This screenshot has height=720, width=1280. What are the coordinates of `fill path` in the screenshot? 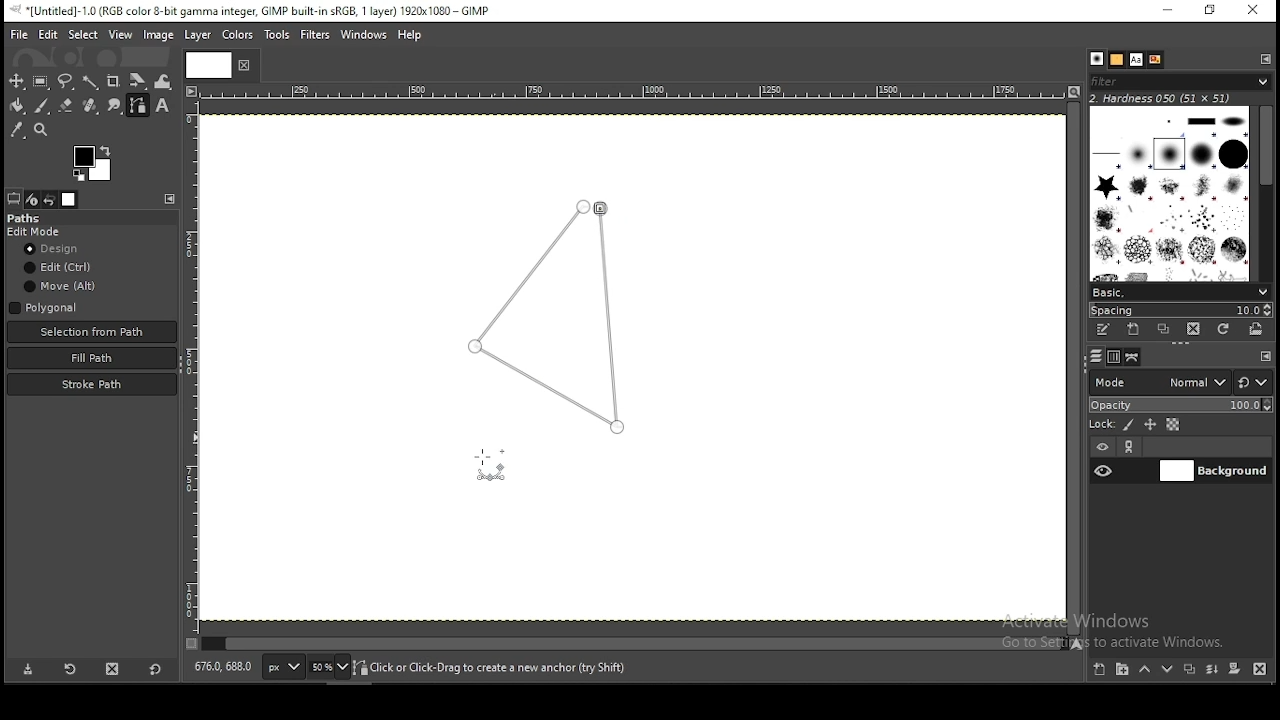 It's located at (92, 357).